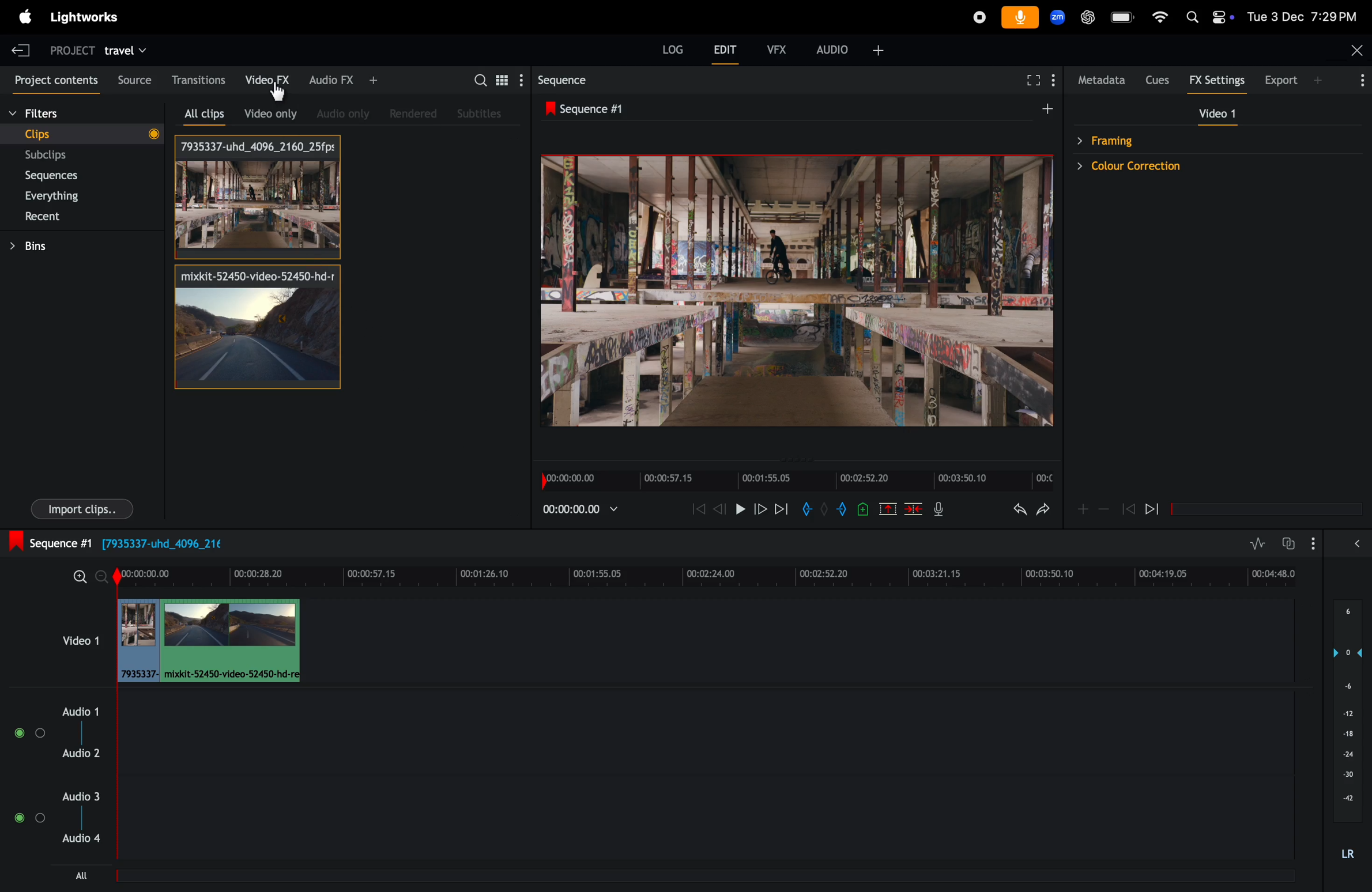 This screenshot has height=892, width=1372. I want to click on forward, so click(757, 511).